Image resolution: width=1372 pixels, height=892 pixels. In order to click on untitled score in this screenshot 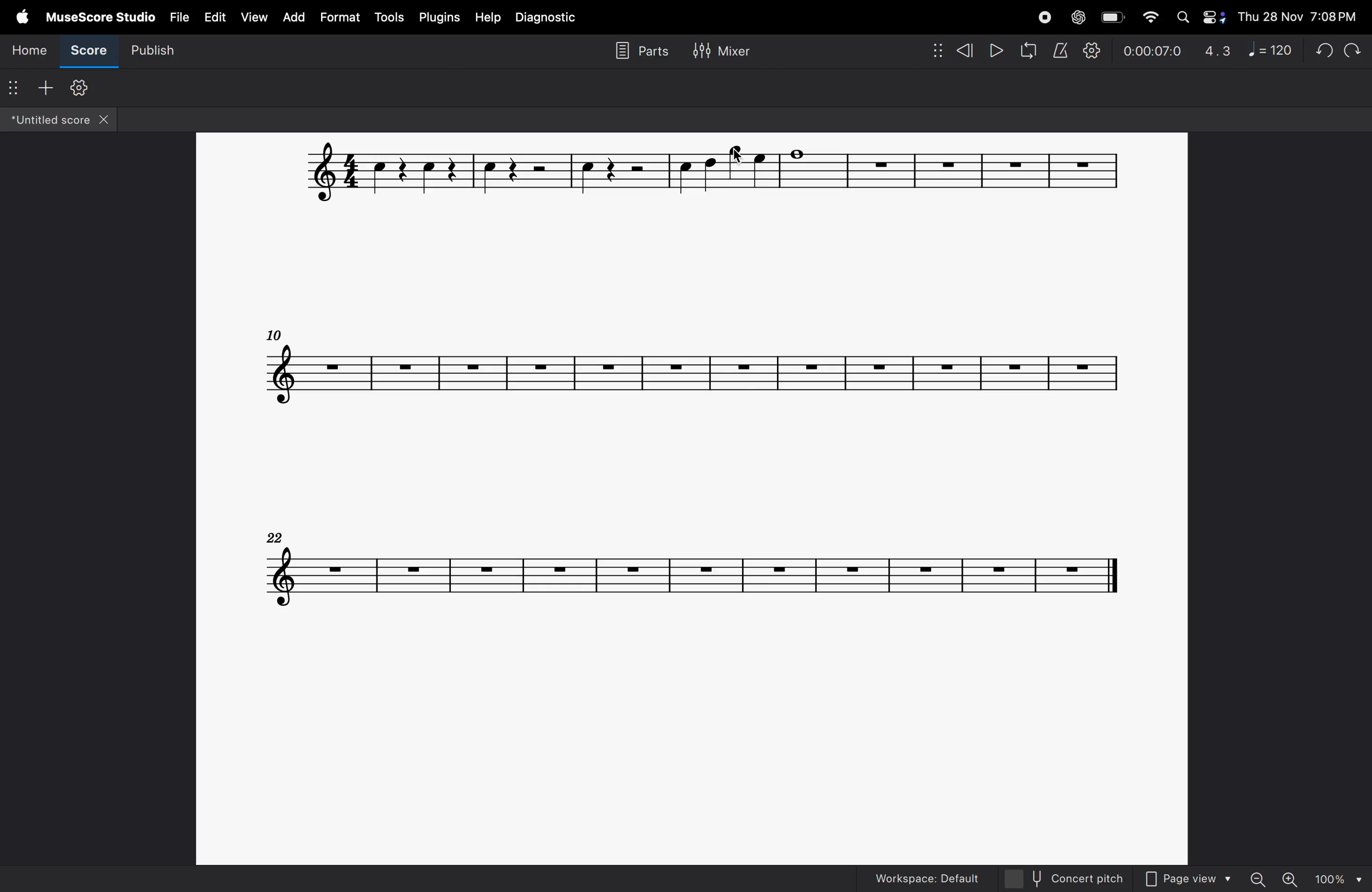, I will do `click(62, 120)`.